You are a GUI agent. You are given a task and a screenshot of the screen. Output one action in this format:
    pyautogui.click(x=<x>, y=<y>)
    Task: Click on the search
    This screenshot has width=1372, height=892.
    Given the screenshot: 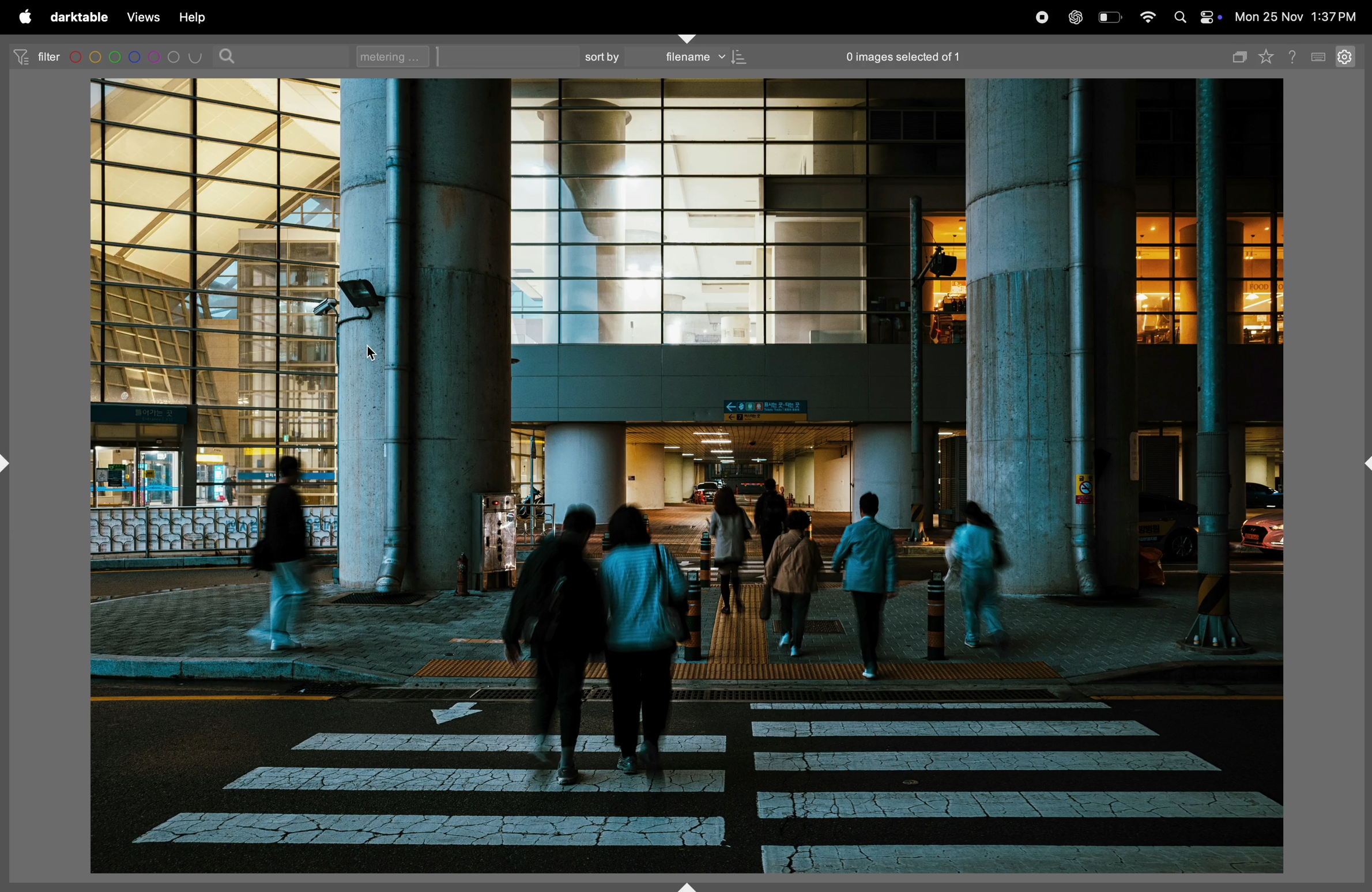 What is the action you would take?
    pyautogui.click(x=229, y=56)
    